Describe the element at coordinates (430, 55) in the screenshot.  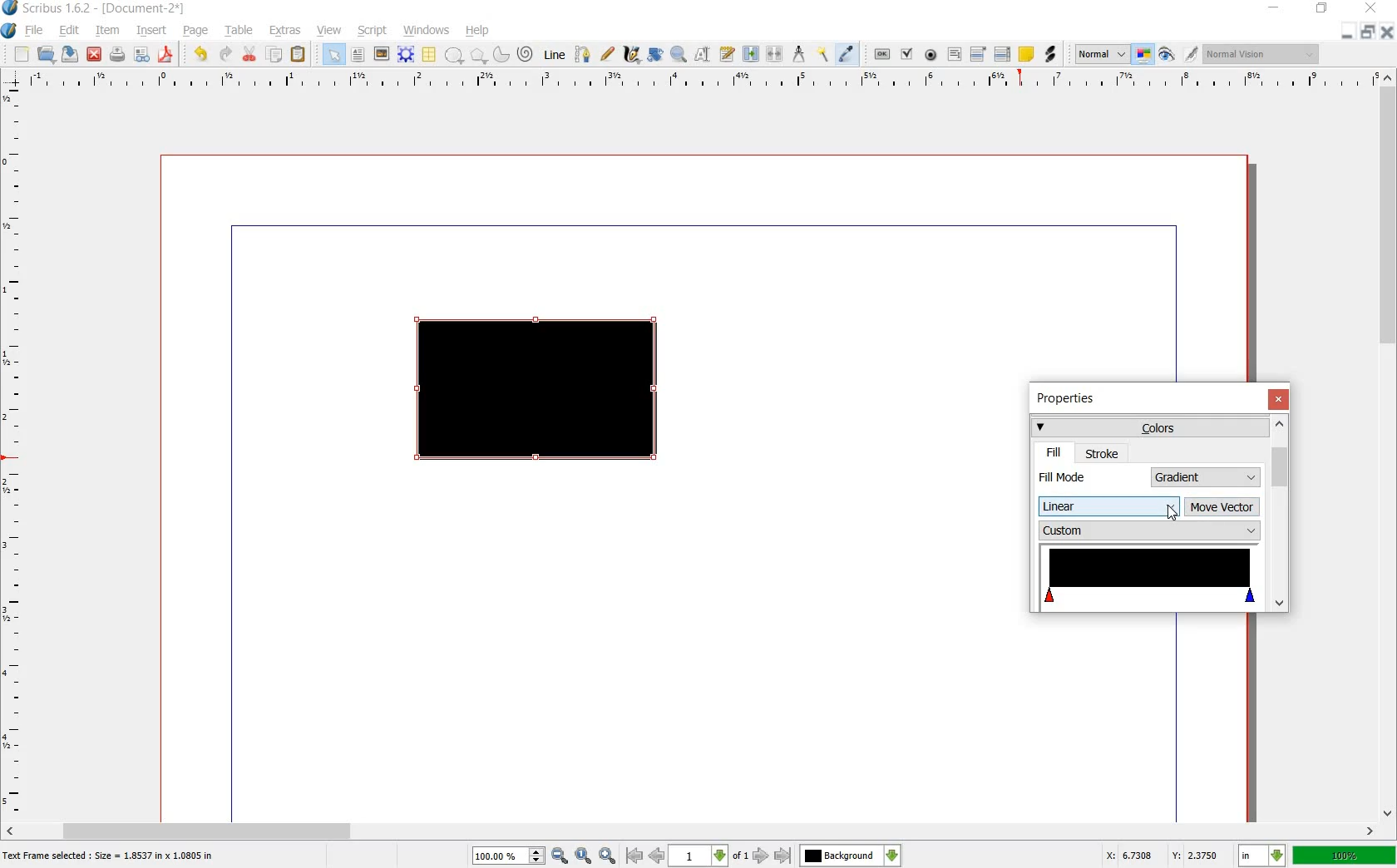
I see `table` at that location.